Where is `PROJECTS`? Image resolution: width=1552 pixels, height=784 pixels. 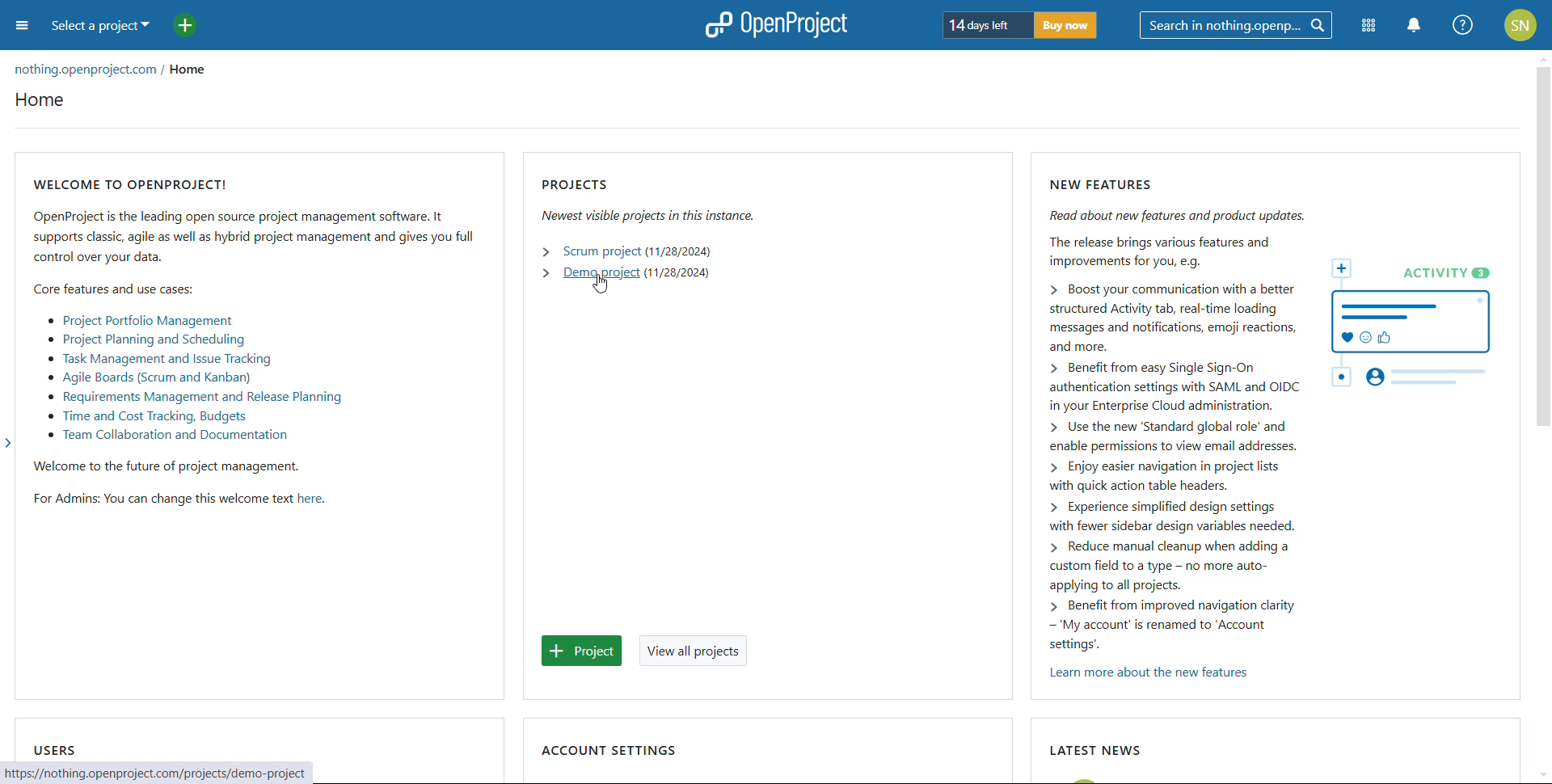 PROJECTS is located at coordinates (582, 183).